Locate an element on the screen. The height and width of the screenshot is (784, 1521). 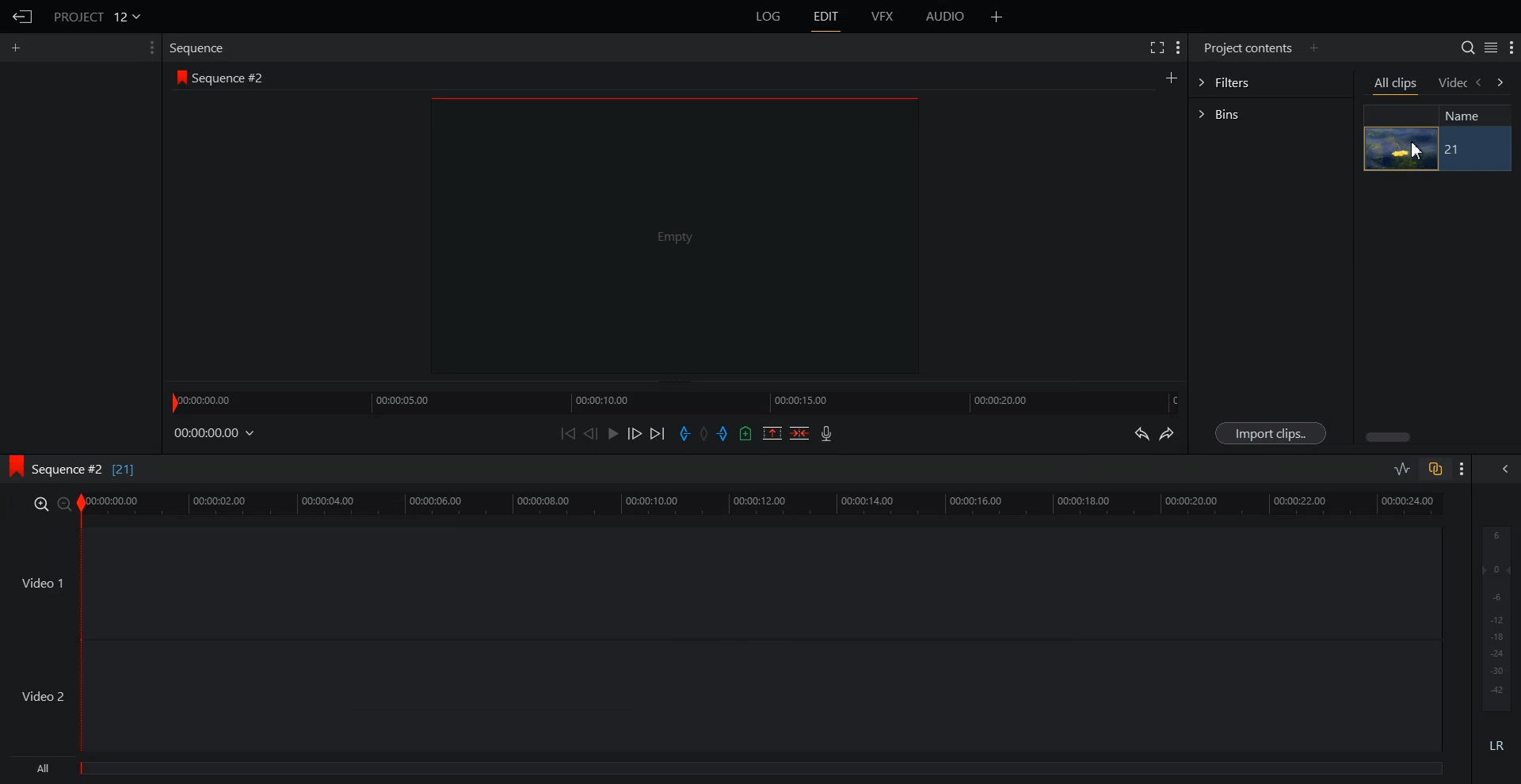
Add Panel is located at coordinates (997, 17).